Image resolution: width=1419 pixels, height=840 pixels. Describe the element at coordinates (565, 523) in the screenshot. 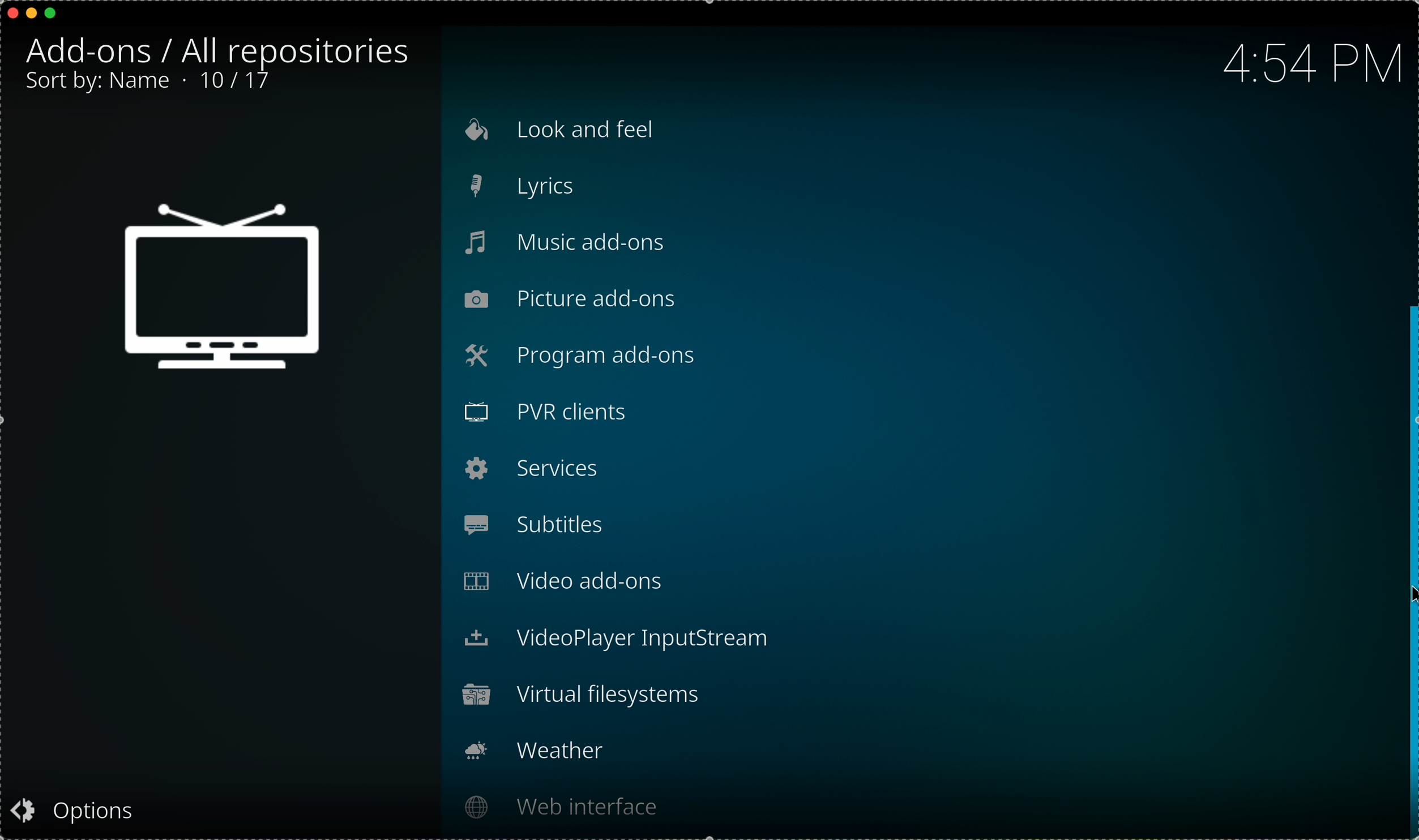

I see `subtitles` at that location.